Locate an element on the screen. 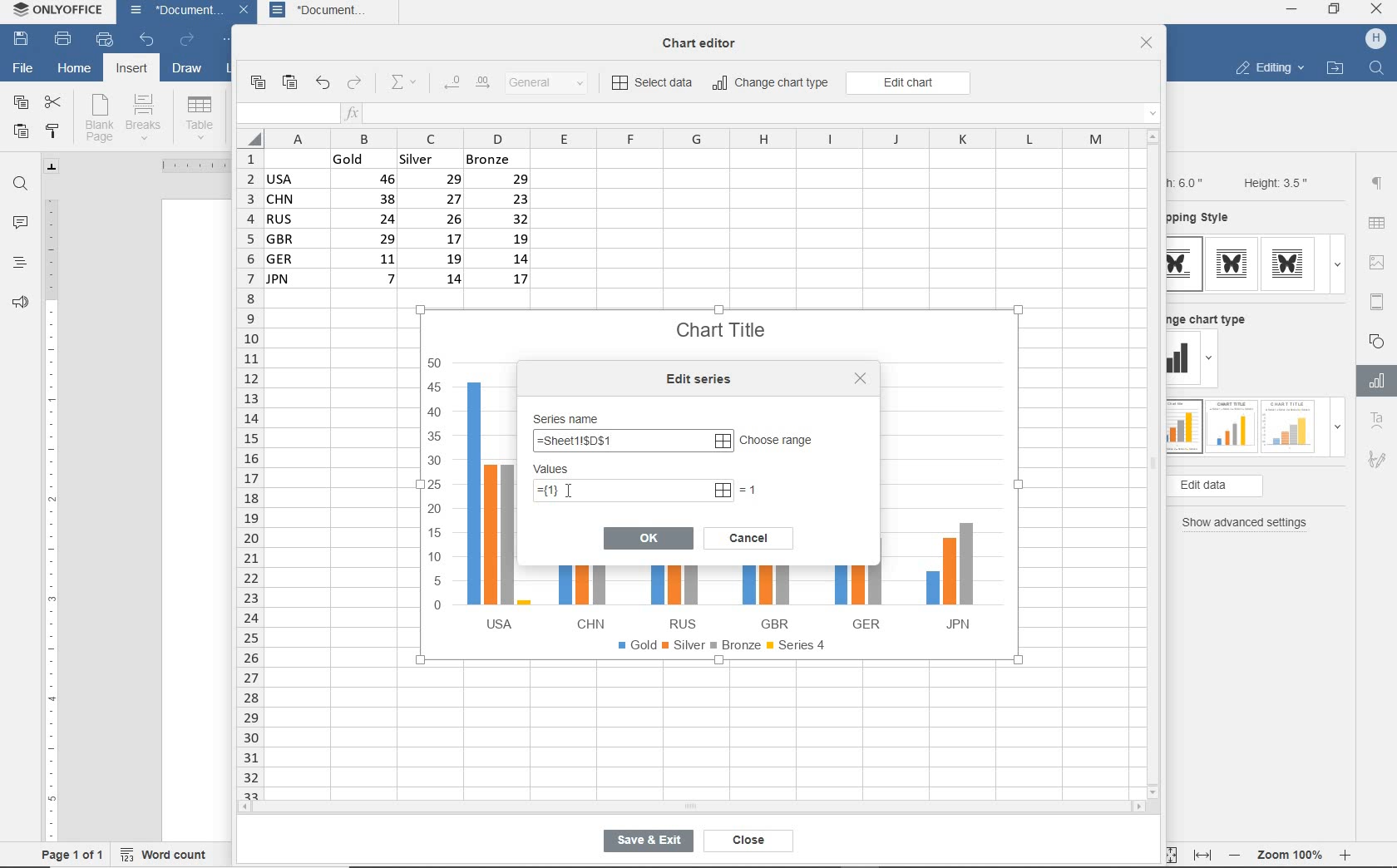  copy is located at coordinates (20, 103).